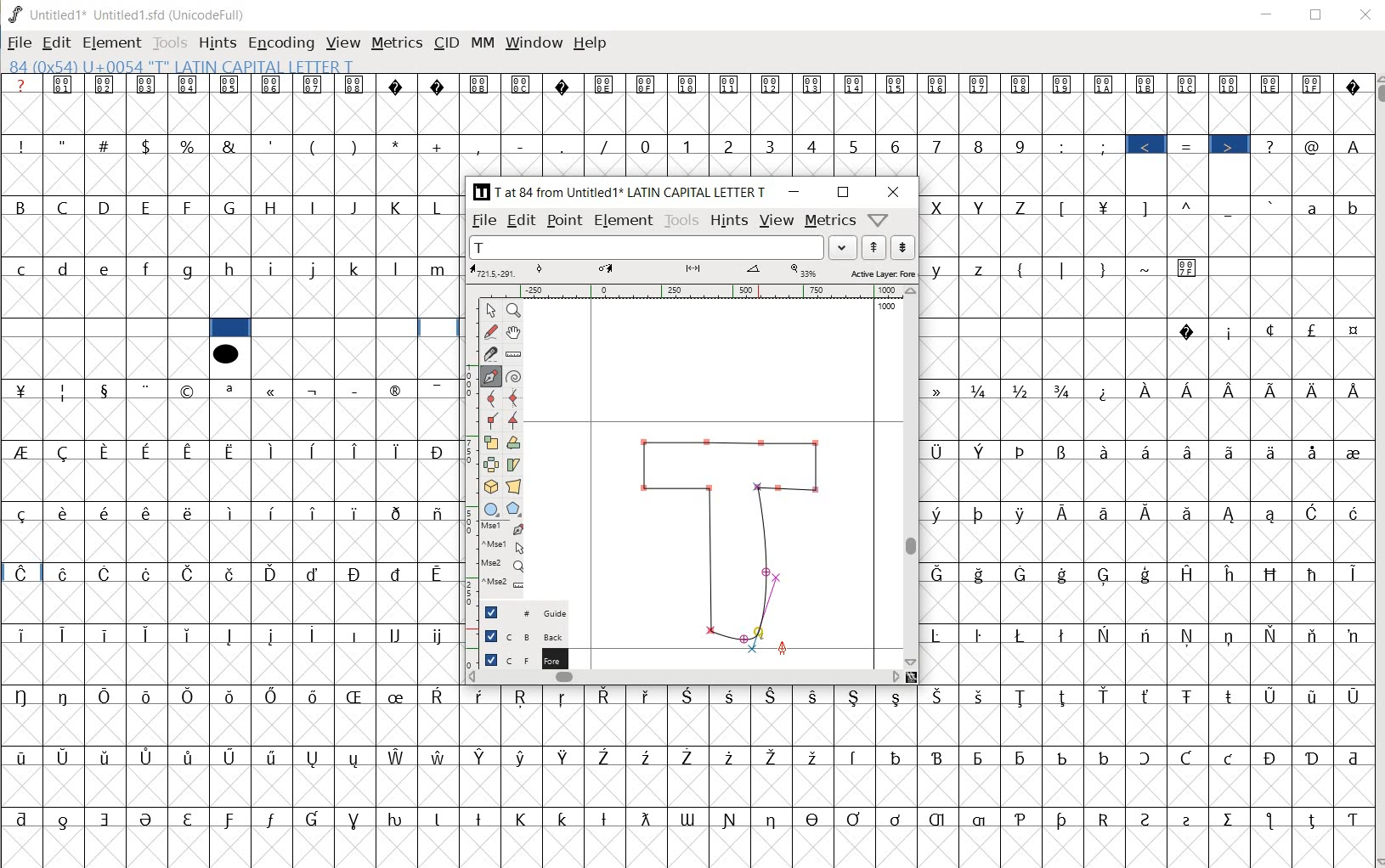  I want to click on Symbol, so click(63, 513).